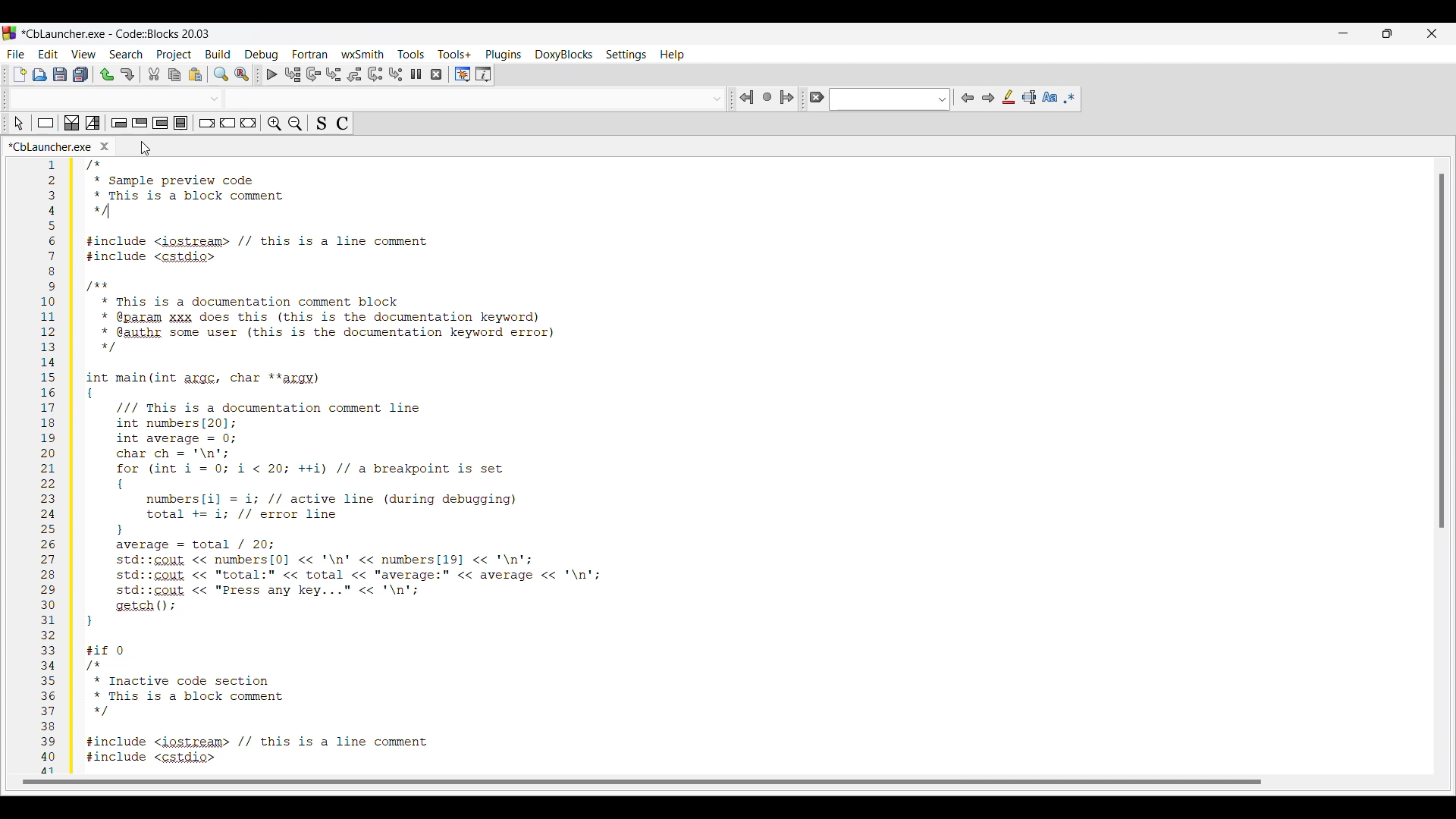 The height and width of the screenshot is (819, 1456). Describe the element at coordinates (195, 74) in the screenshot. I see `Paste` at that location.